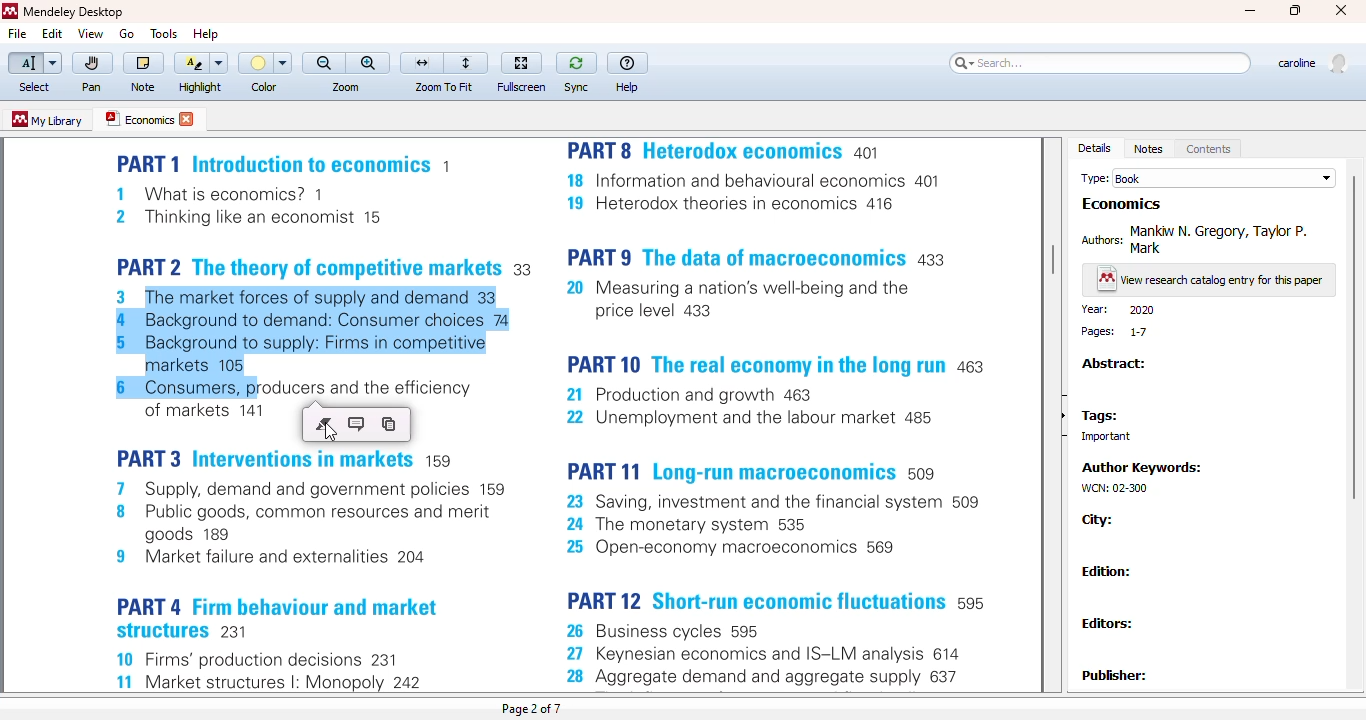 Image resolution: width=1366 pixels, height=720 pixels. Describe the element at coordinates (199, 63) in the screenshot. I see `highlight` at that location.